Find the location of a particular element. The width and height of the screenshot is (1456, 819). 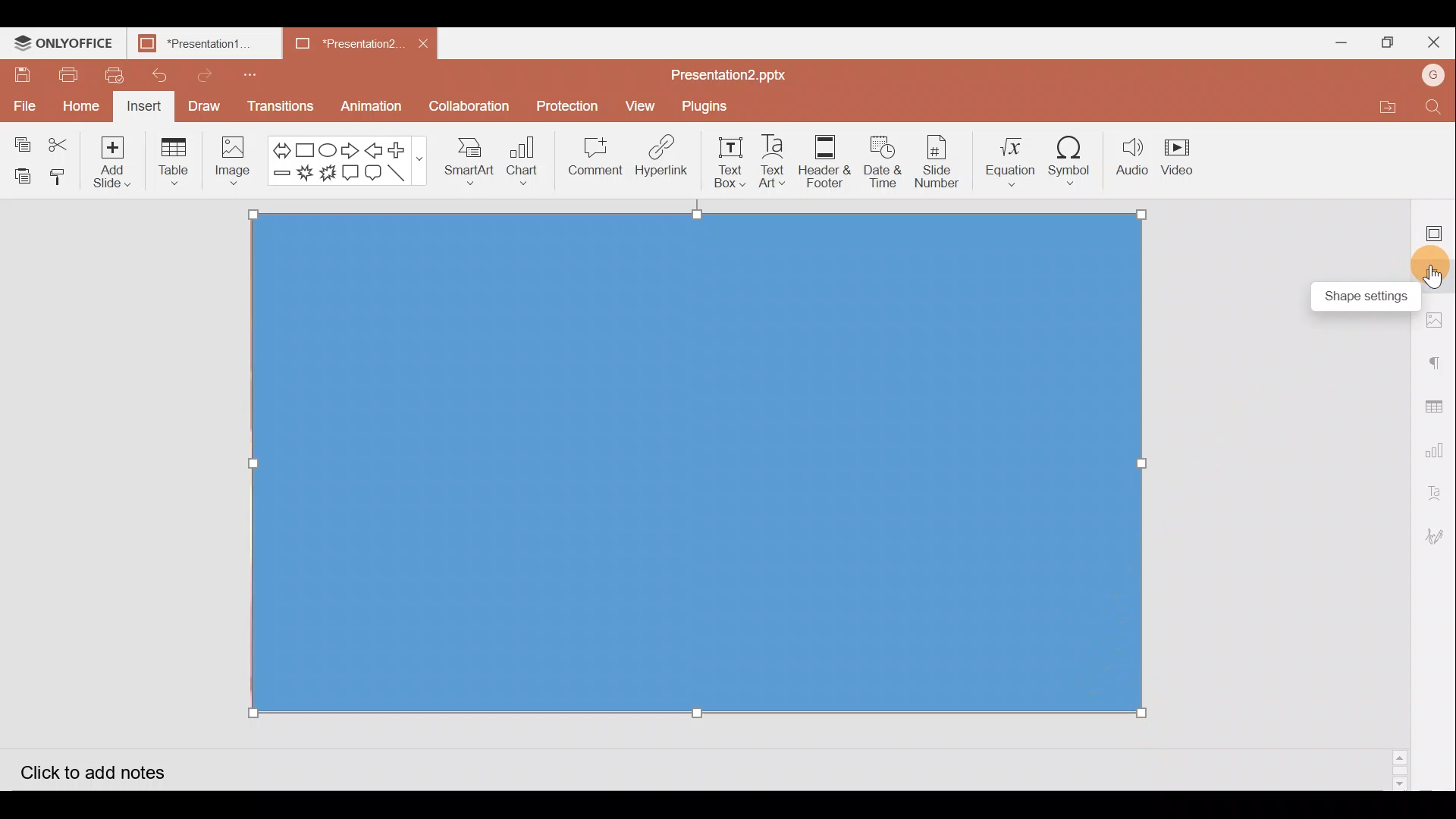

Video is located at coordinates (1182, 162).